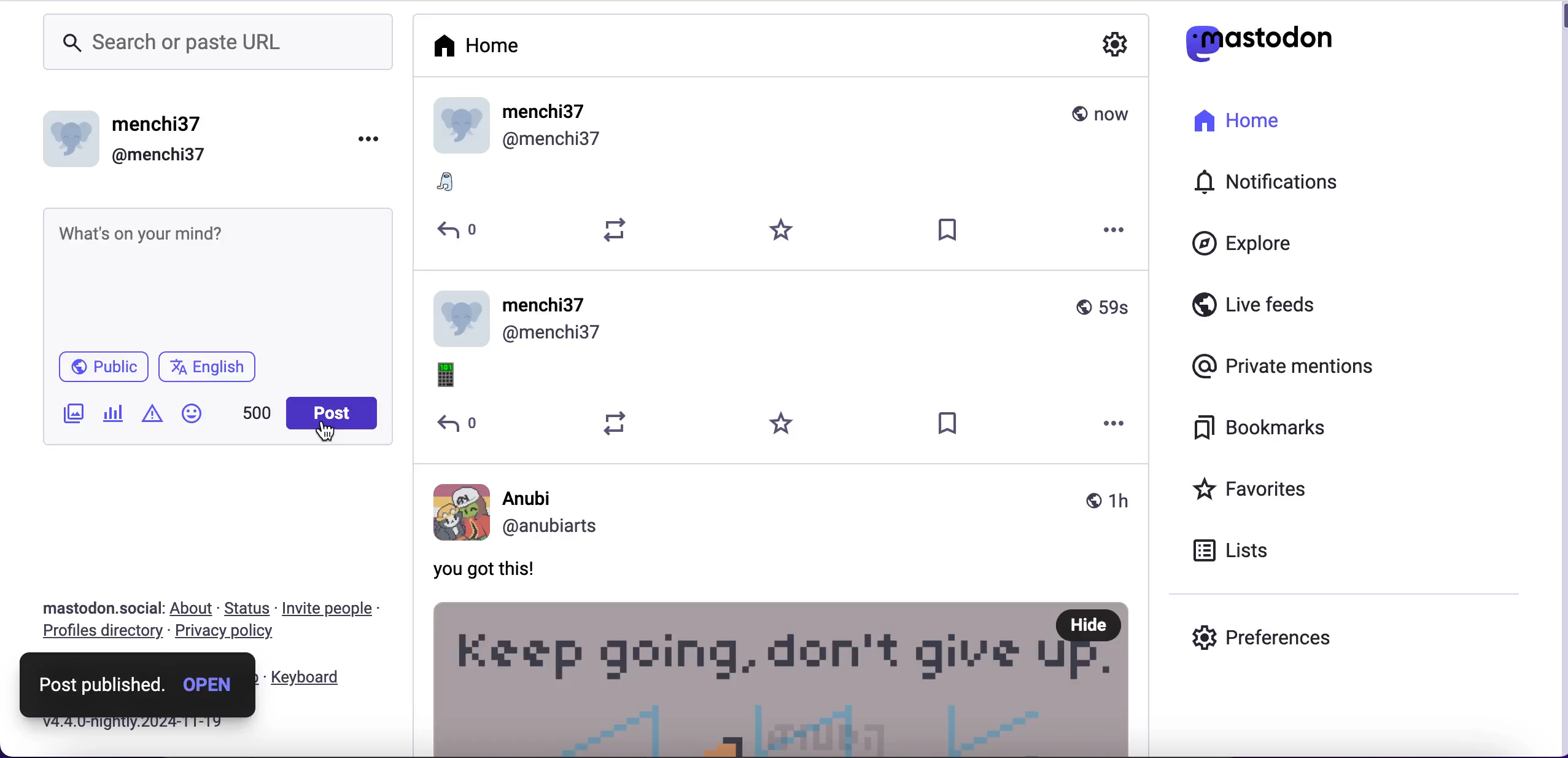 The image size is (1568, 758). I want to click on menchi37 @menchi37, so click(786, 319).